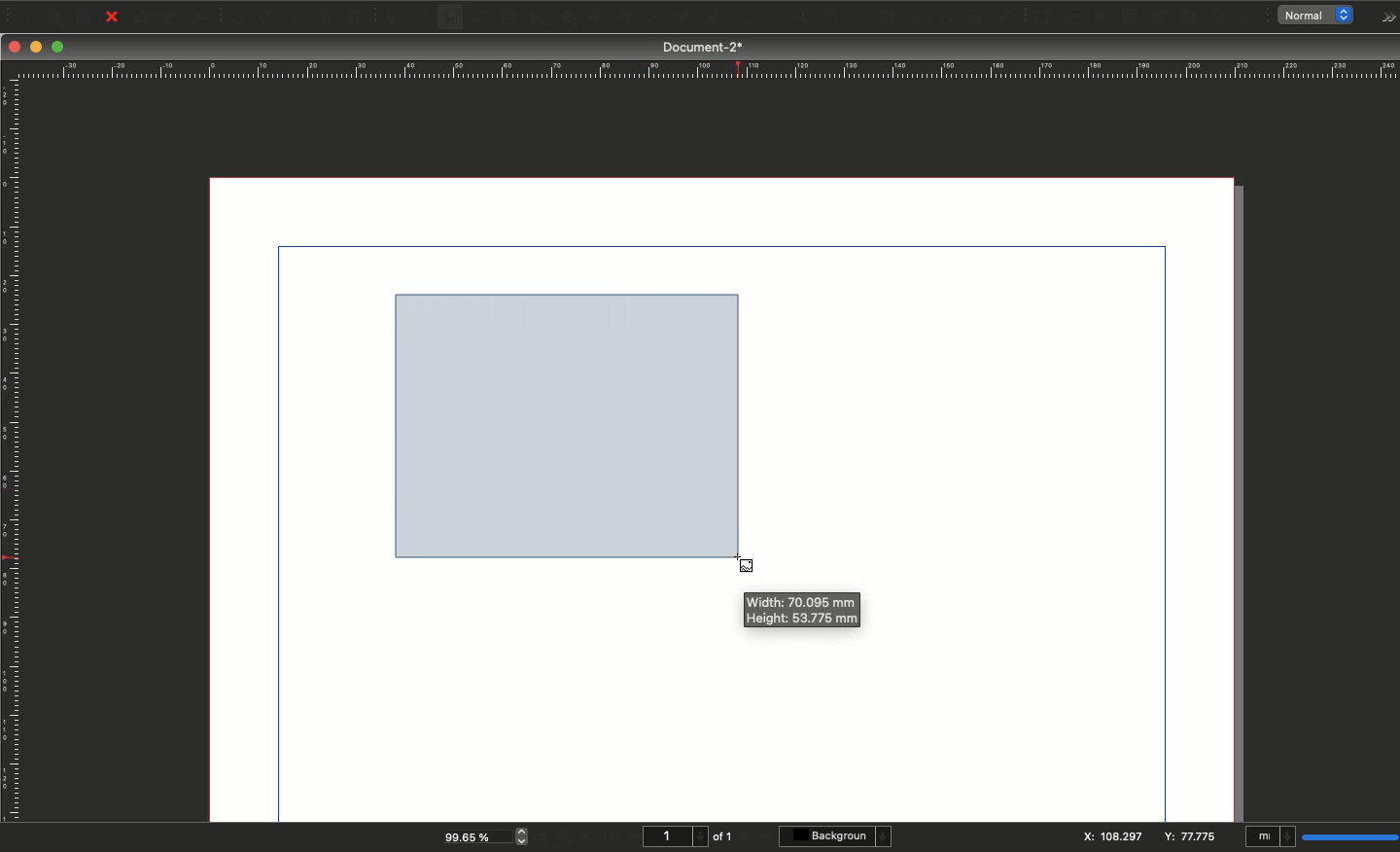  Describe the element at coordinates (673, 836) in the screenshot. I see `1` at that location.